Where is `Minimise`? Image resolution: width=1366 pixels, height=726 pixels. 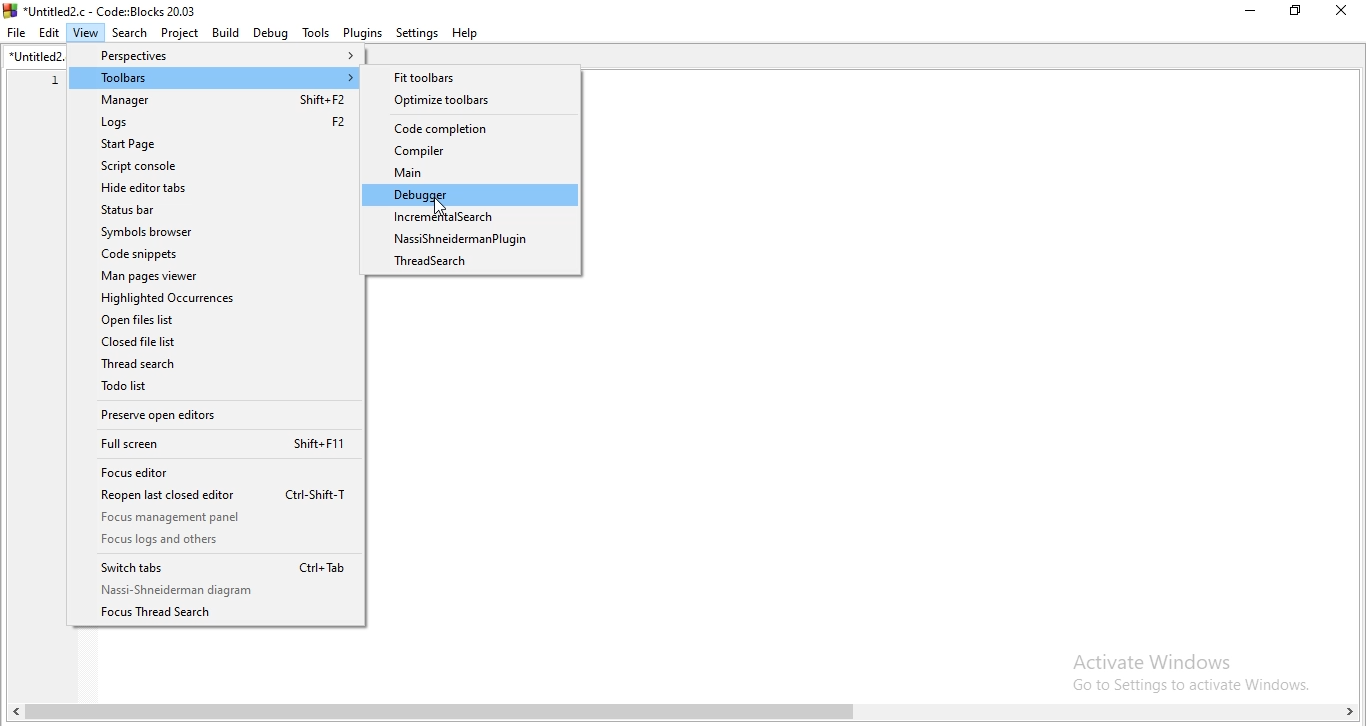
Minimise is located at coordinates (1249, 11).